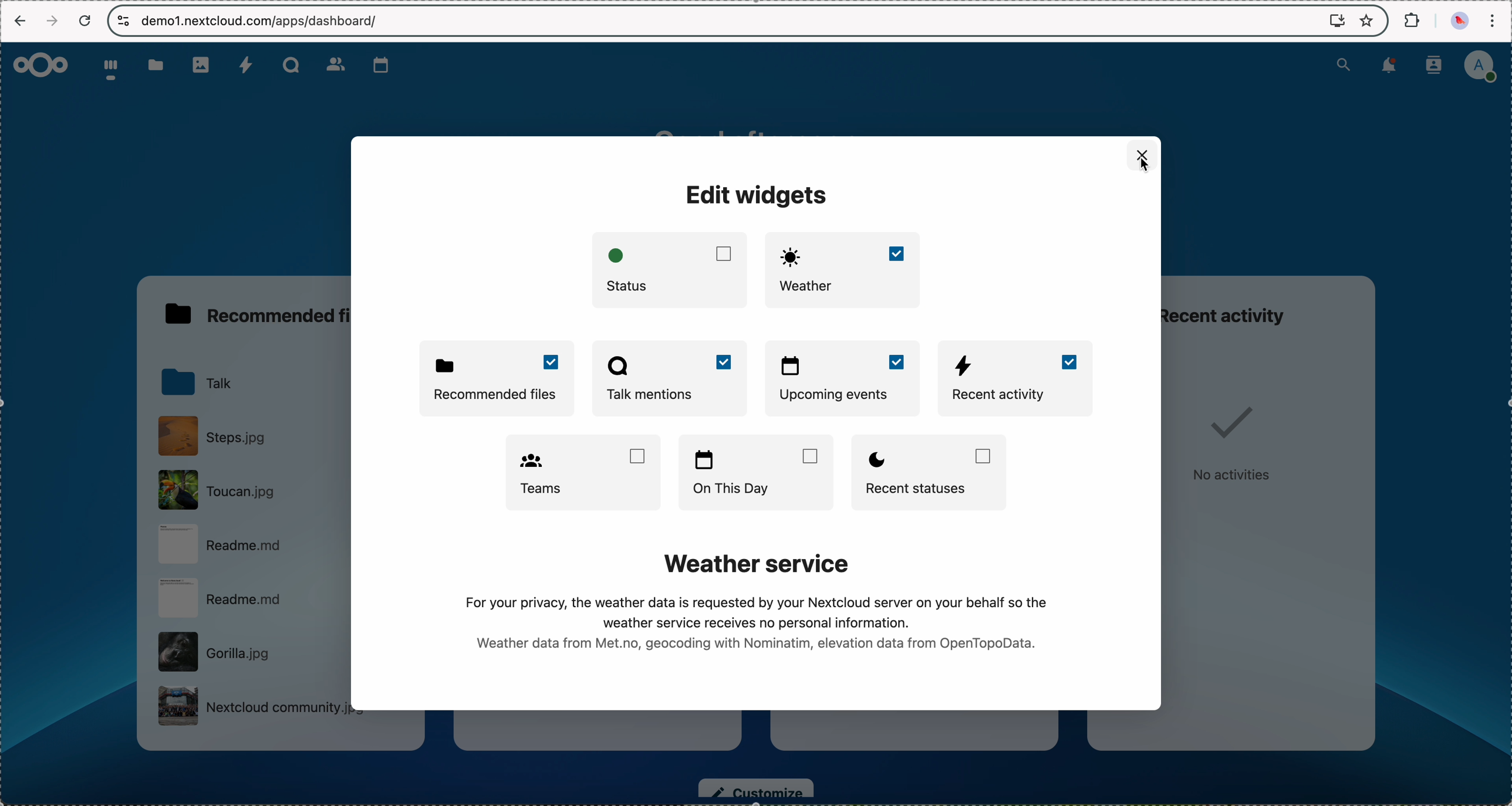 The height and width of the screenshot is (806, 1512). Describe the element at coordinates (248, 66) in the screenshot. I see `activity` at that location.